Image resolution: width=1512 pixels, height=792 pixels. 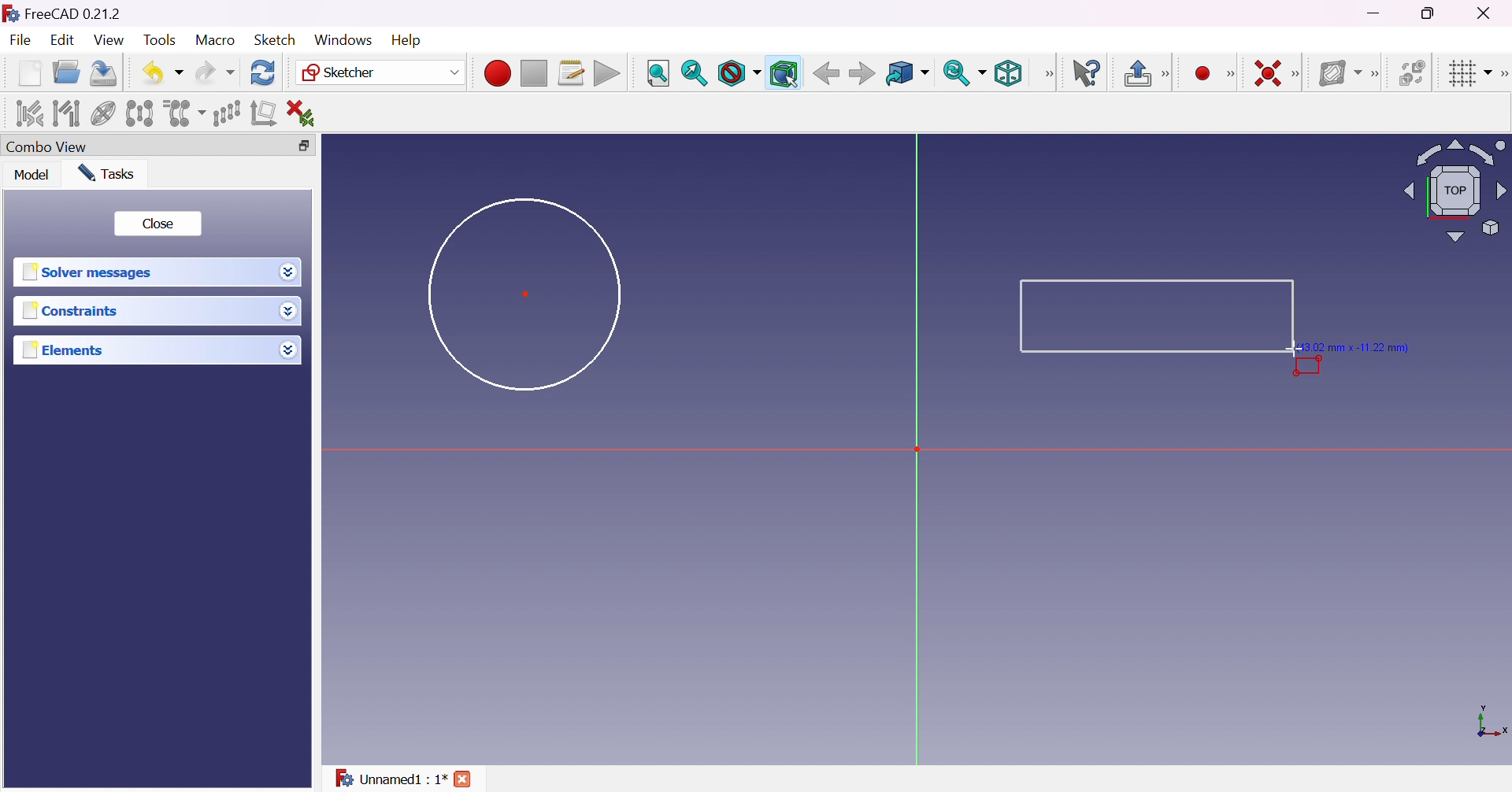 What do you see at coordinates (46, 148) in the screenshot?
I see `Combo view` at bounding box center [46, 148].